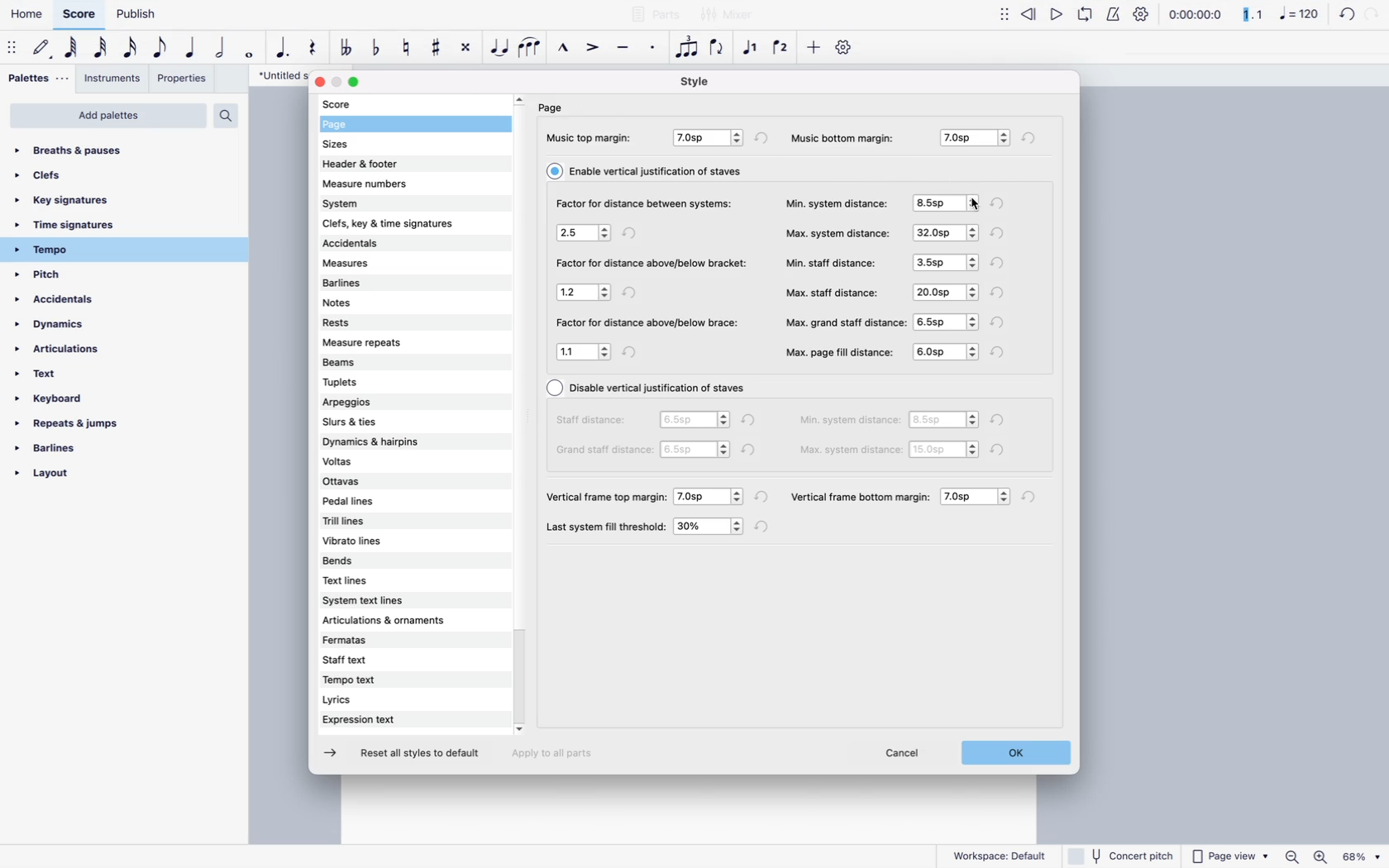 The image size is (1389, 868). I want to click on next, so click(334, 754).